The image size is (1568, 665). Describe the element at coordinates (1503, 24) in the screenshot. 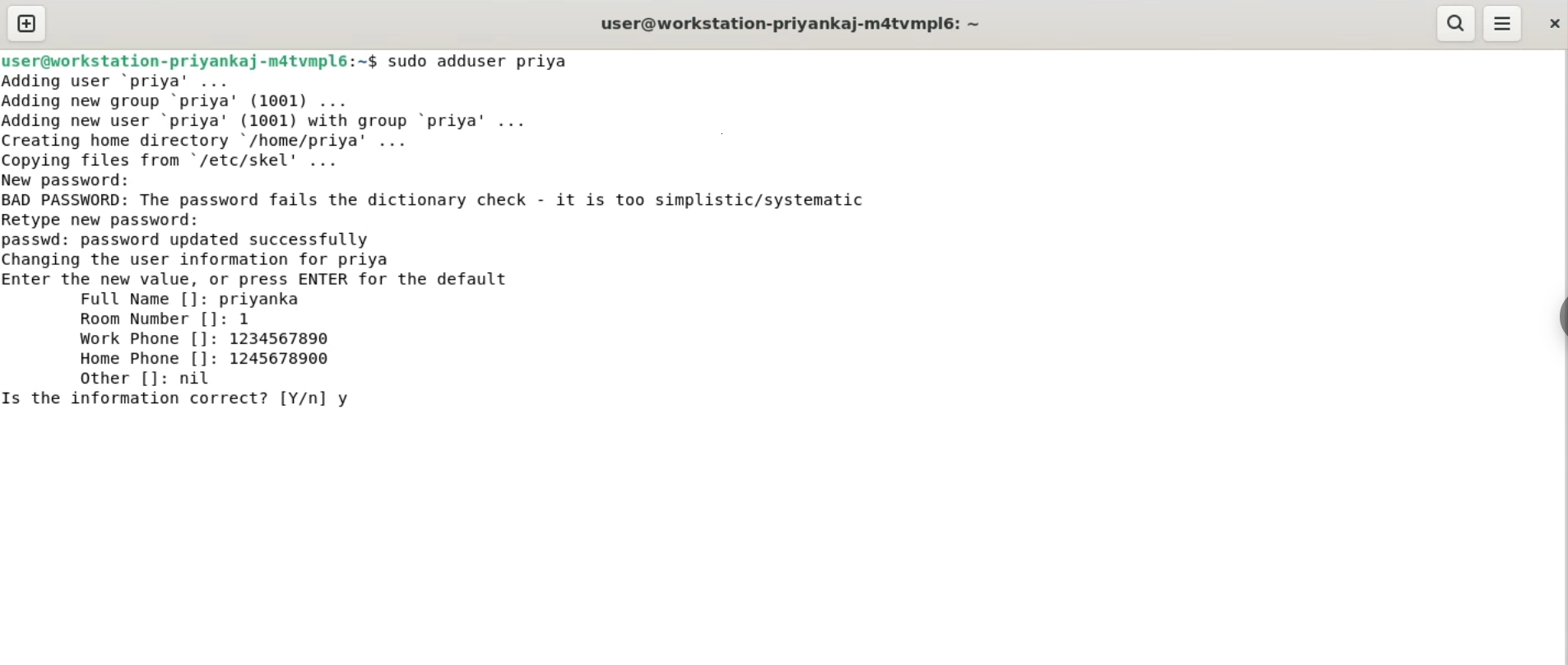

I see `menu` at that location.